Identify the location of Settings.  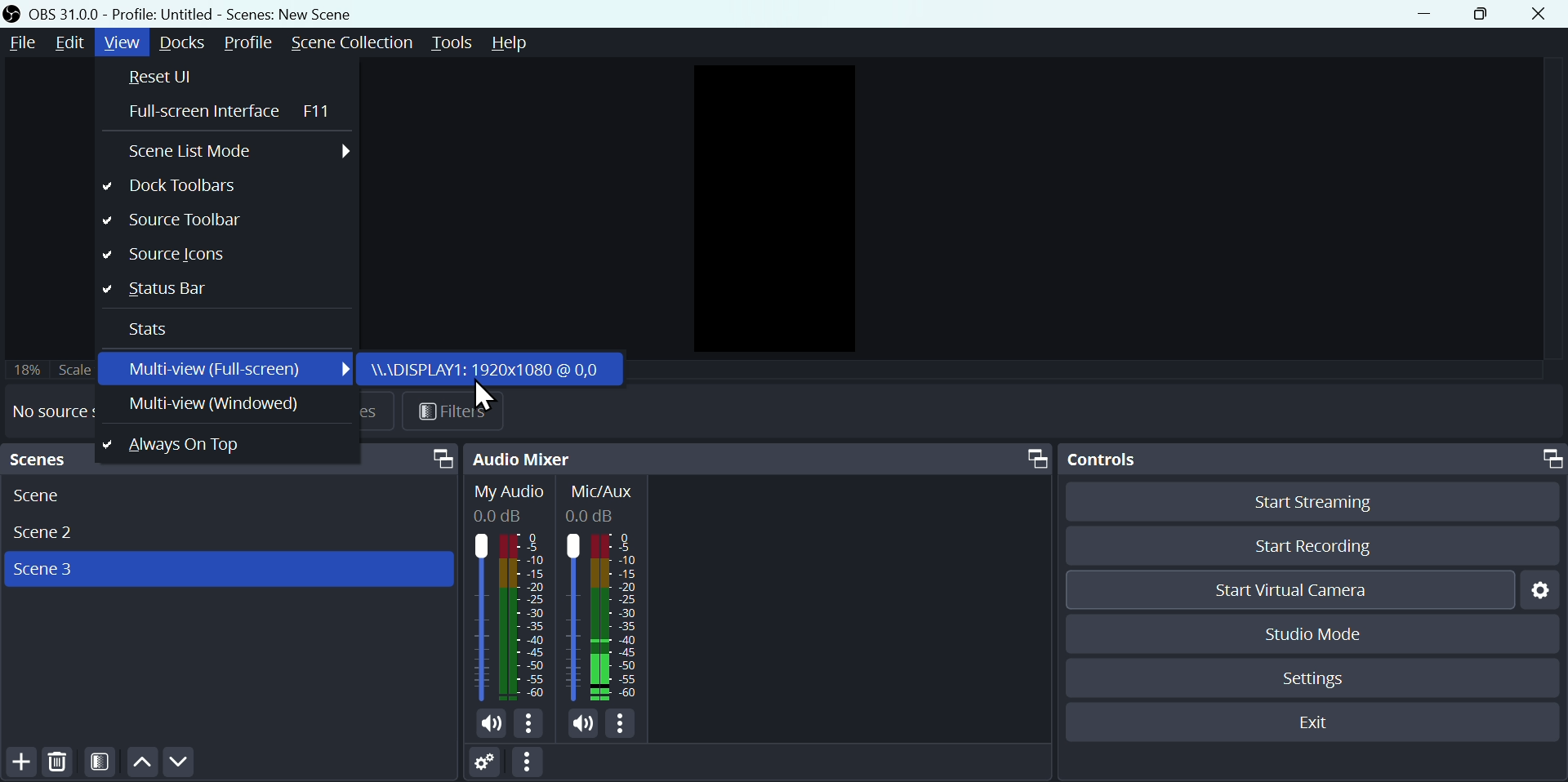
(489, 765).